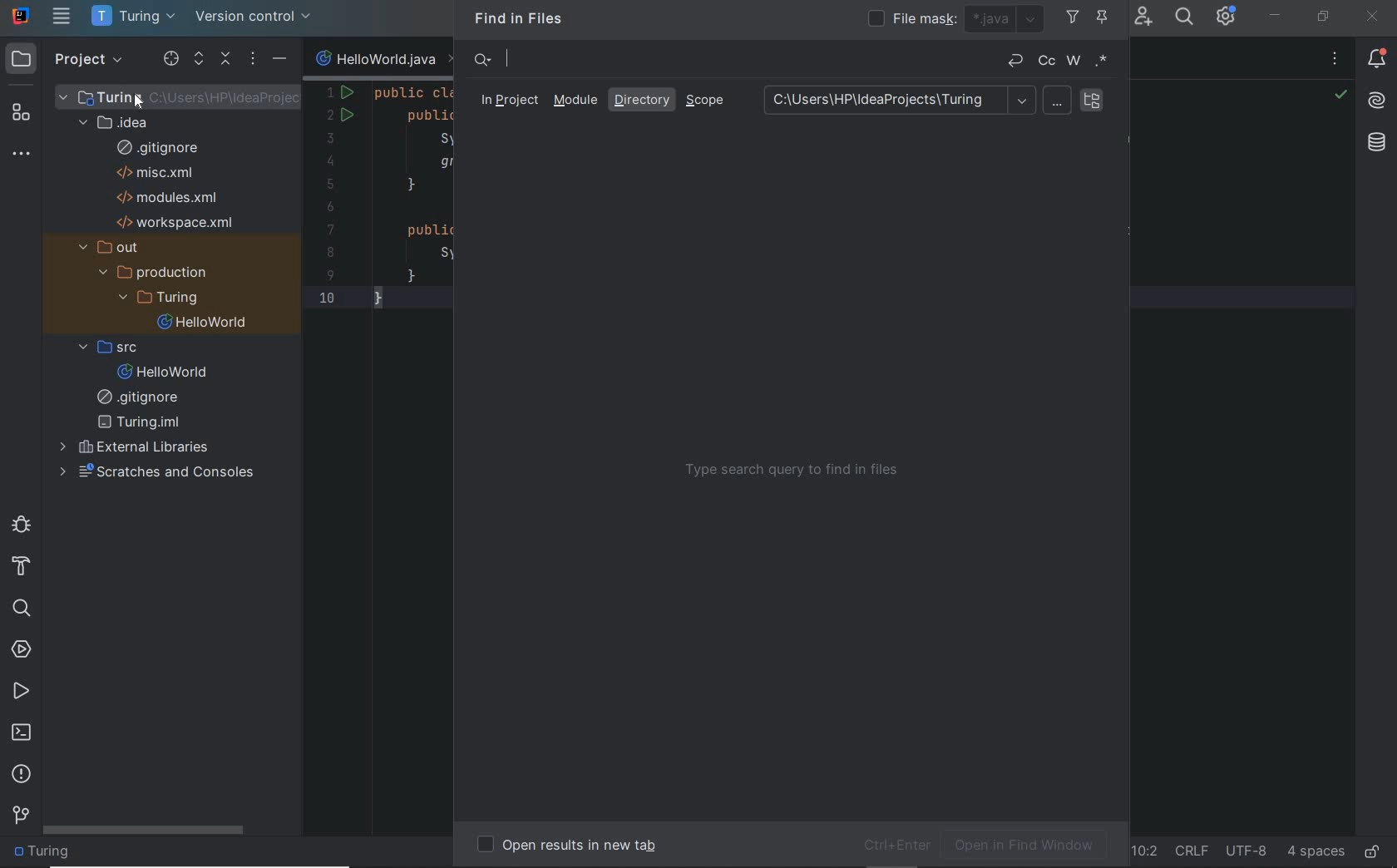 The height and width of the screenshot is (868, 1397). I want to click on open results in new tab, so click(574, 846).